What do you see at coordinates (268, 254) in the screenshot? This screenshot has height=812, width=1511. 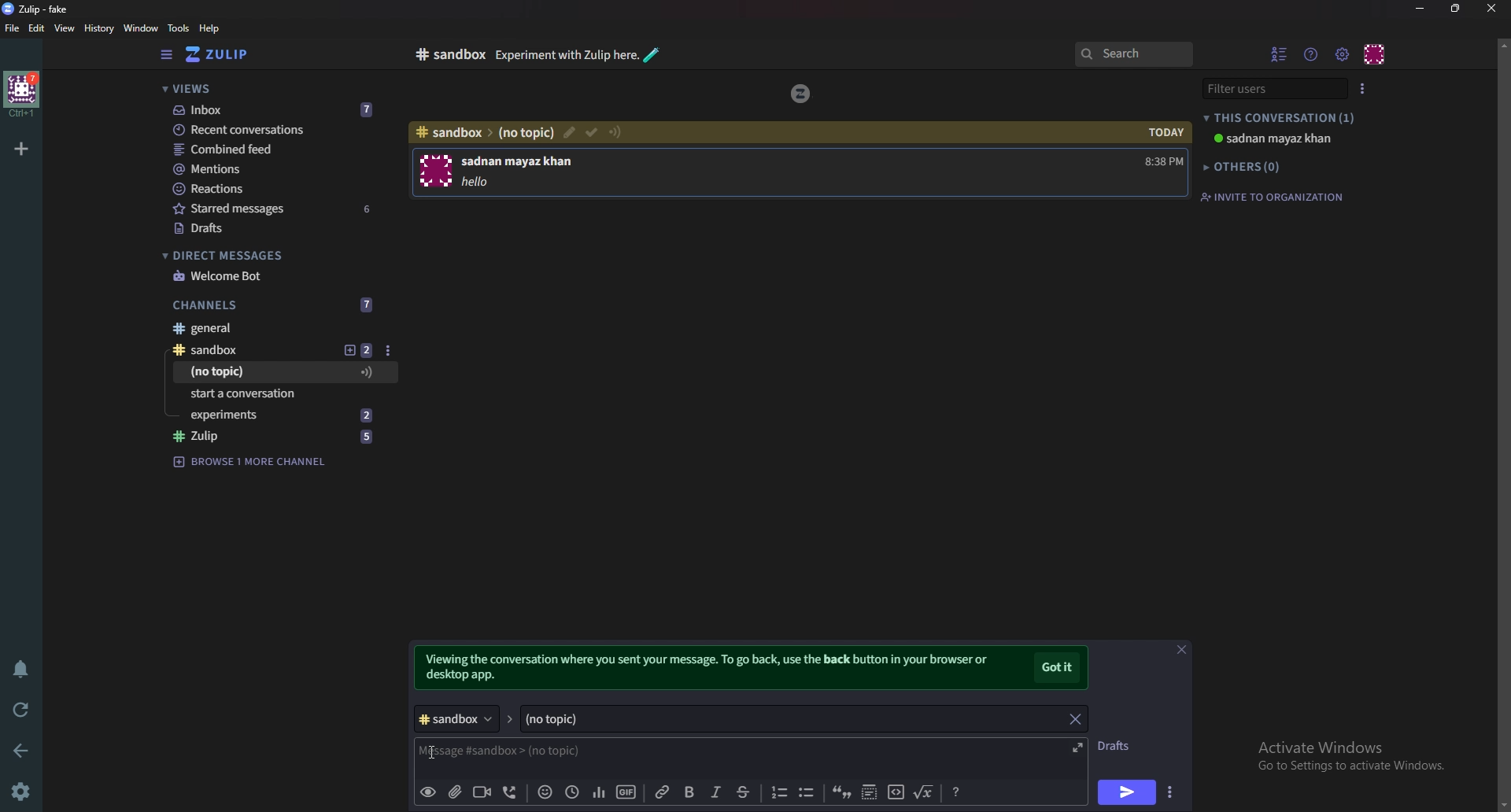 I see `Direct messages` at bounding box center [268, 254].